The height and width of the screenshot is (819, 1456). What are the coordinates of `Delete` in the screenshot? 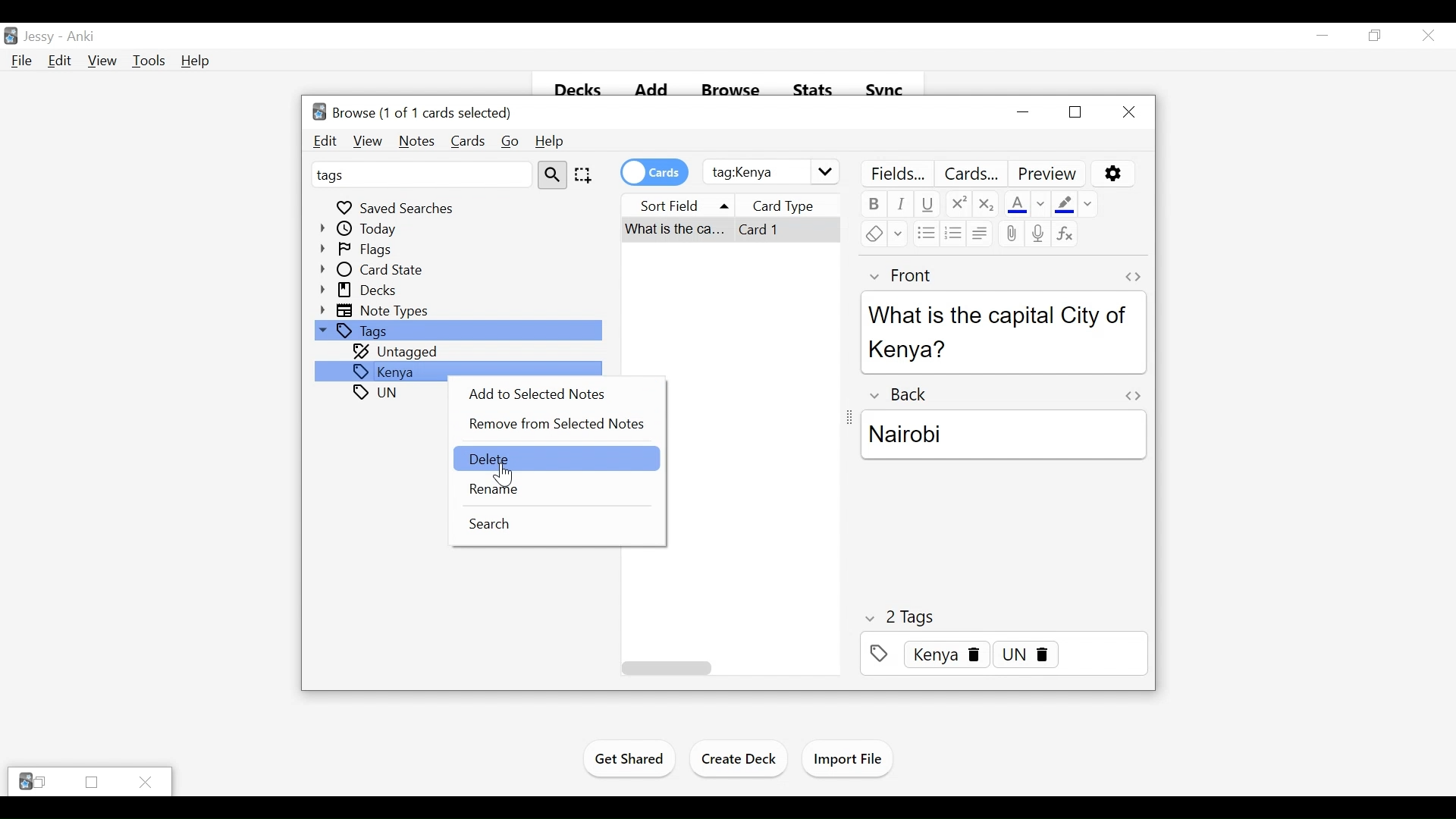 It's located at (558, 458).